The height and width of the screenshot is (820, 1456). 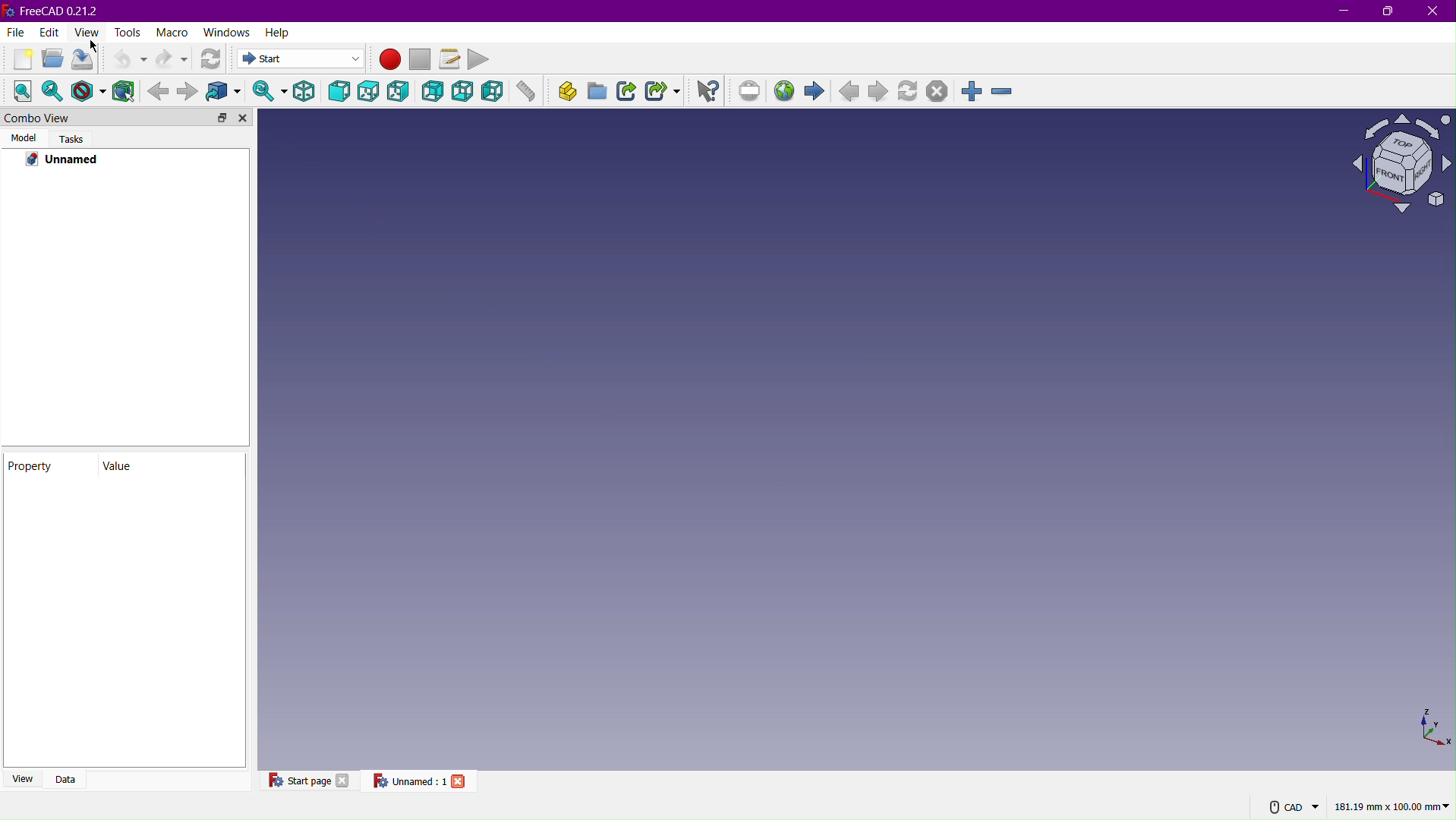 What do you see at coordinates (134, 32) in the screenshot?
I see `Tools` at bounding box center [134, 32].